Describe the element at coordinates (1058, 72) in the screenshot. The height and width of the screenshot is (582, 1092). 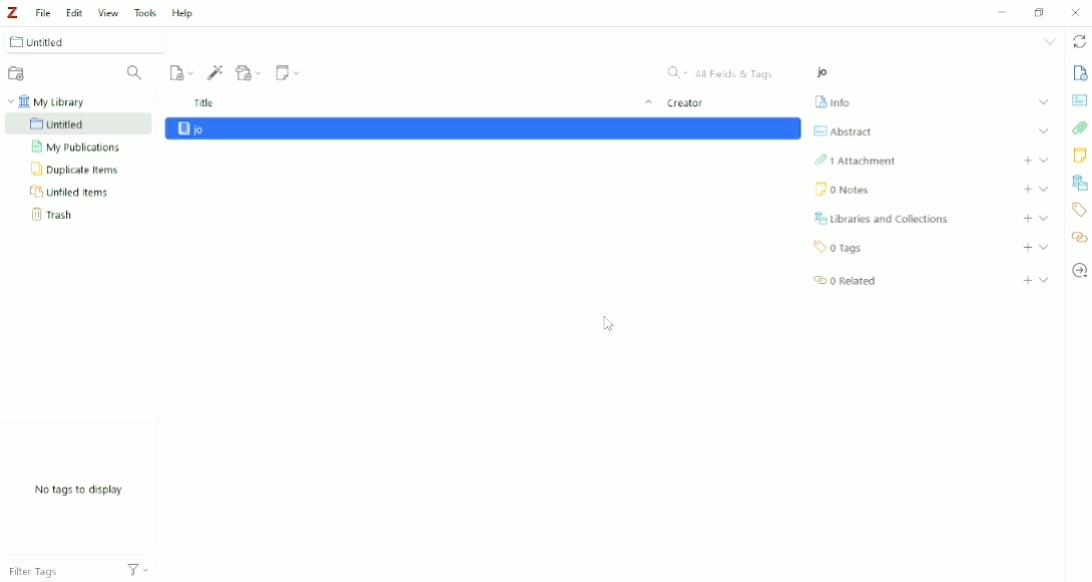
I see `Info` at that location.